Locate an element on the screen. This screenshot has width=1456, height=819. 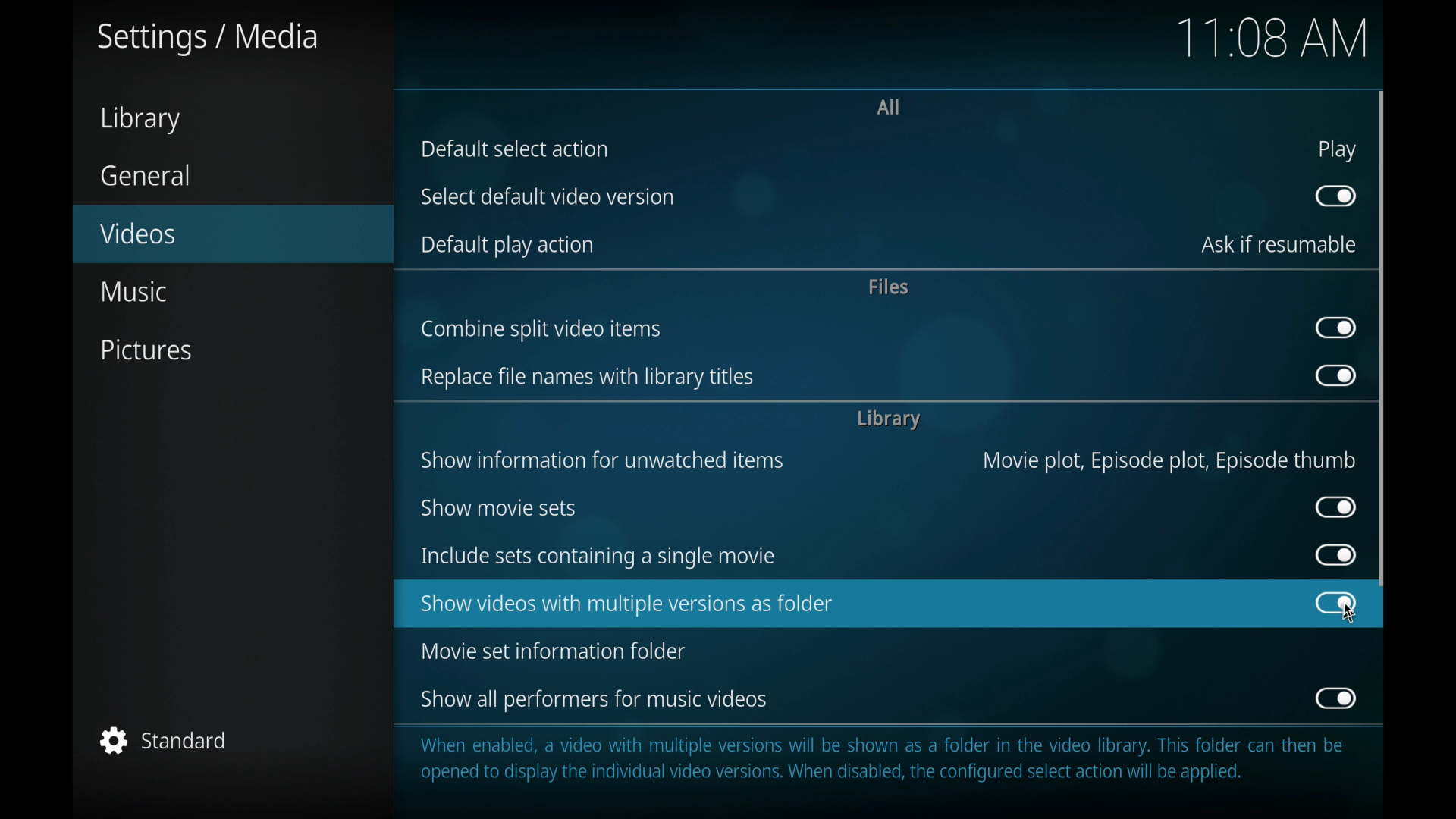
toggle button is located at coordinates (1336, 603).